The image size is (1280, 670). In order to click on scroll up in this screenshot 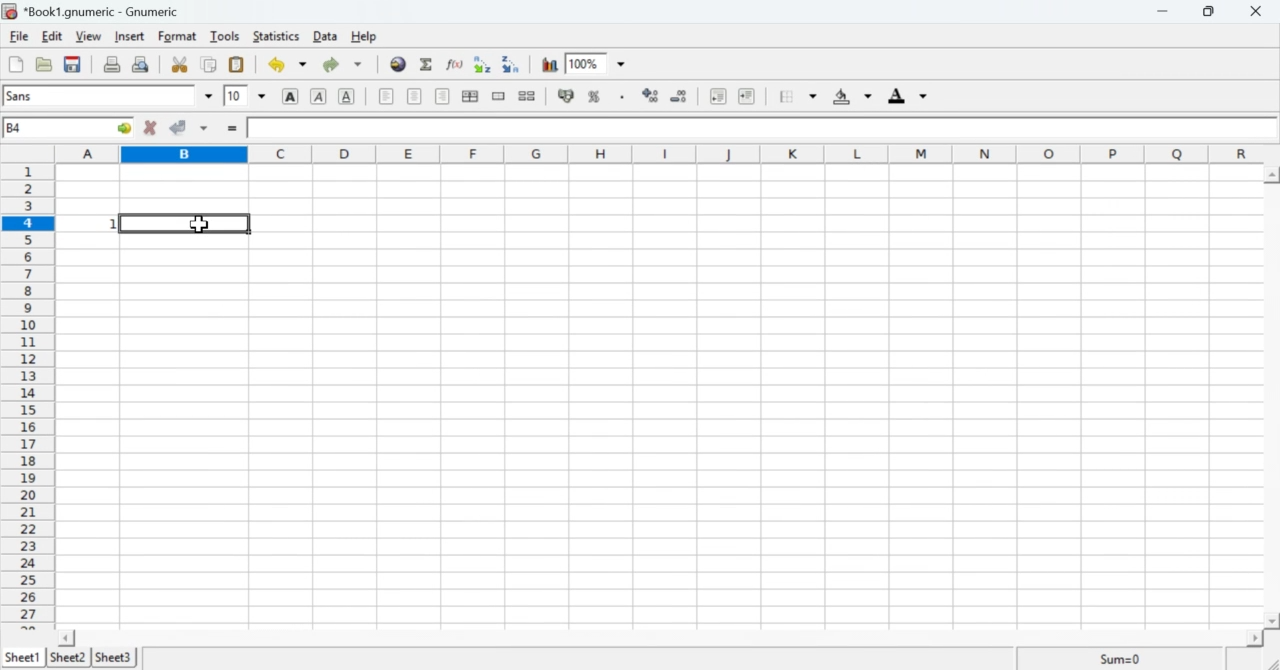, I will do `click(1271, 174)`.